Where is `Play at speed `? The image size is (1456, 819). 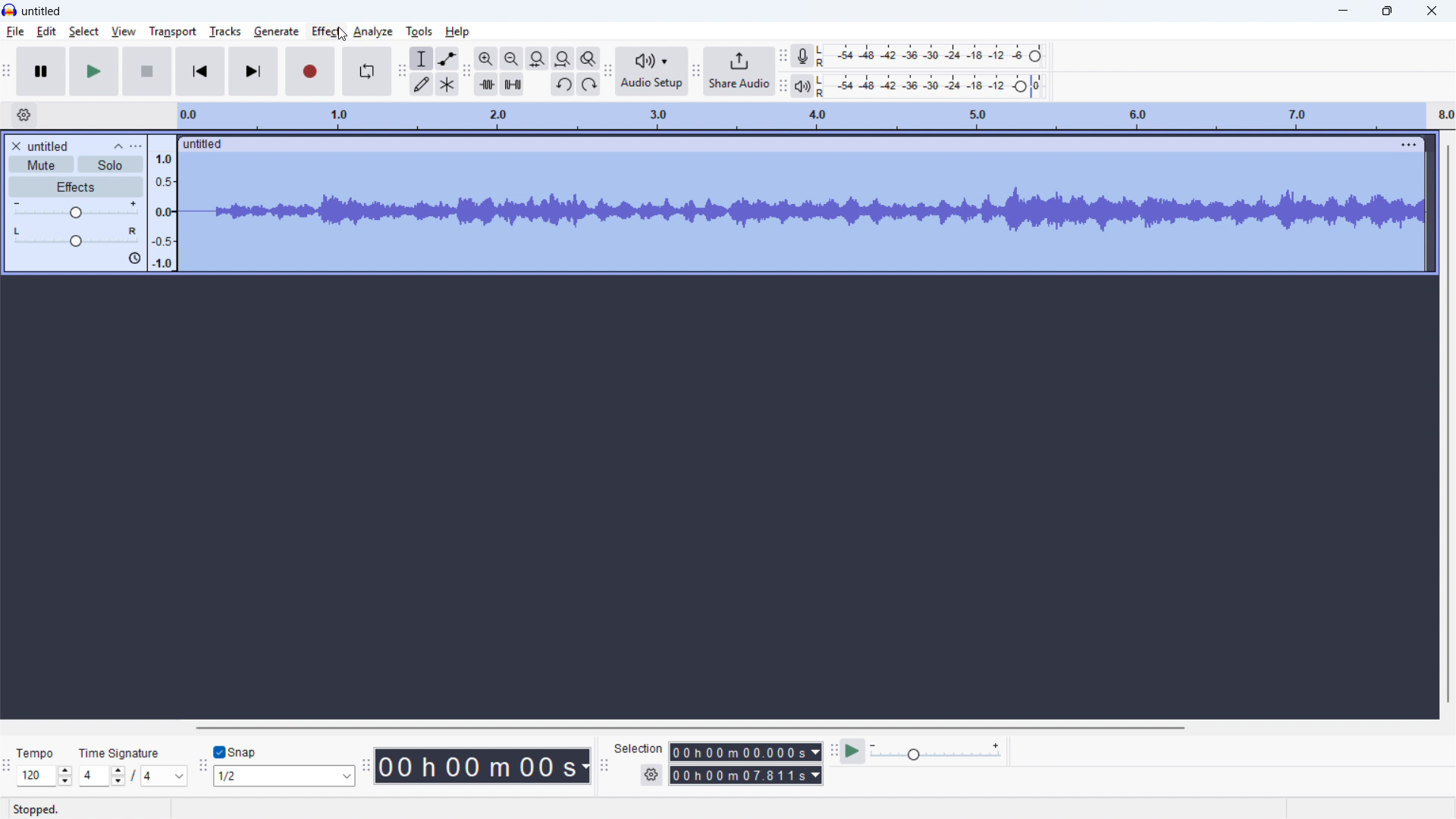 Play at speed  is located at coordinates (851, 752).